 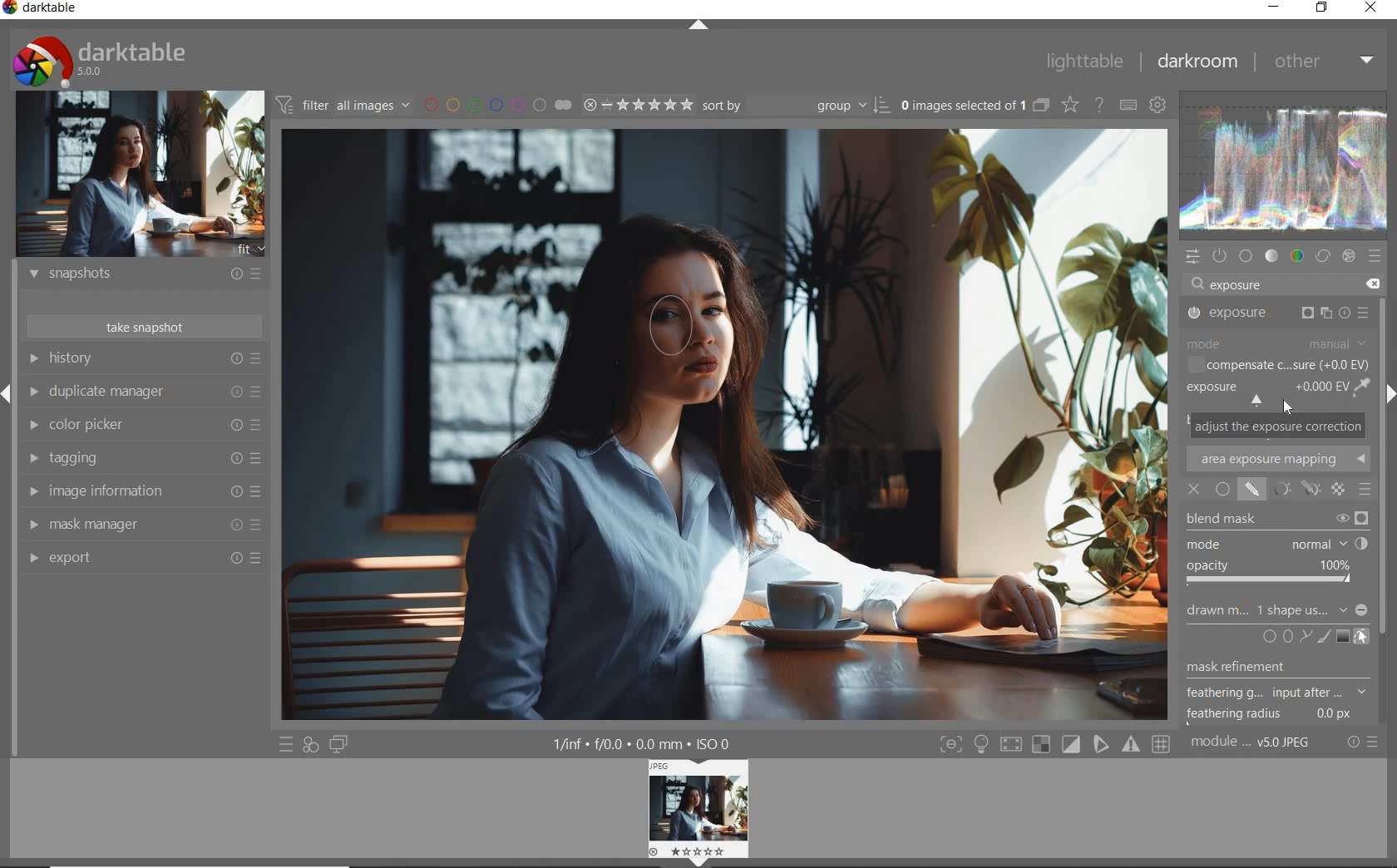 What do you see at coordinates (1276, 691) in the screenshot?
I see `feathering g...input after` at bounding box center [1276, 691].